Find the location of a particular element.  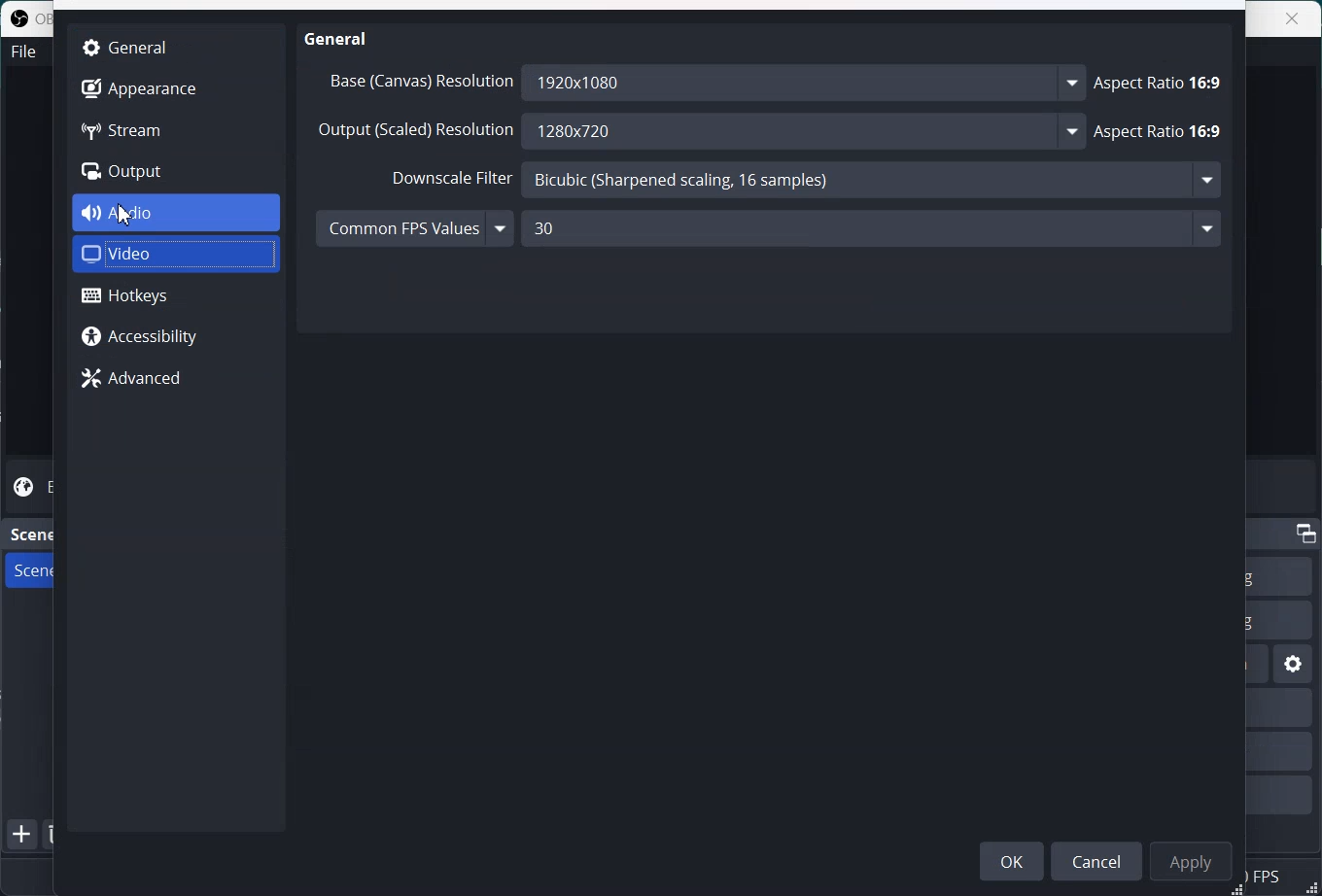

General is located at coordinates (134, 47).